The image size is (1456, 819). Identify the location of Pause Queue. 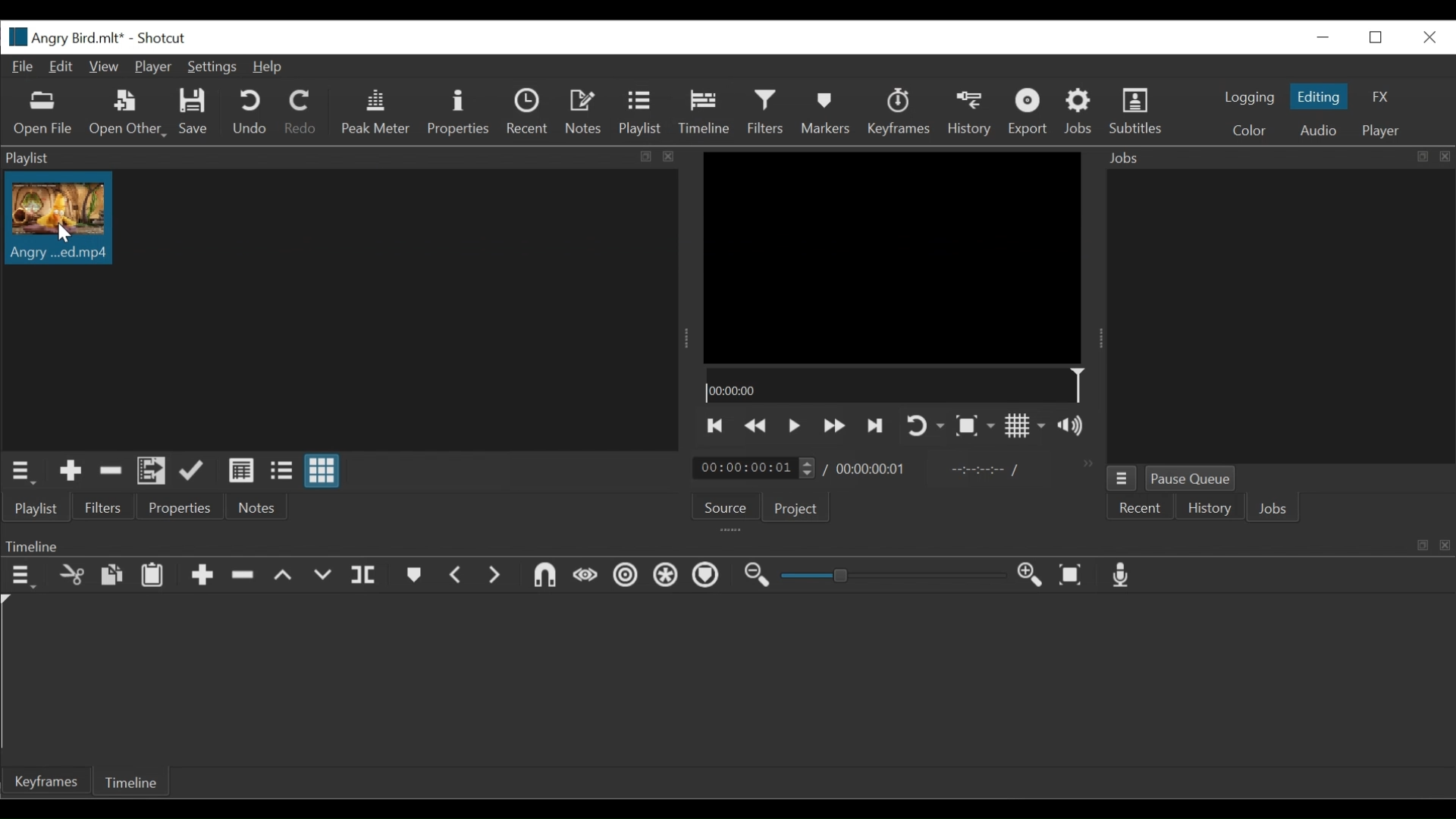
(1191, 478).